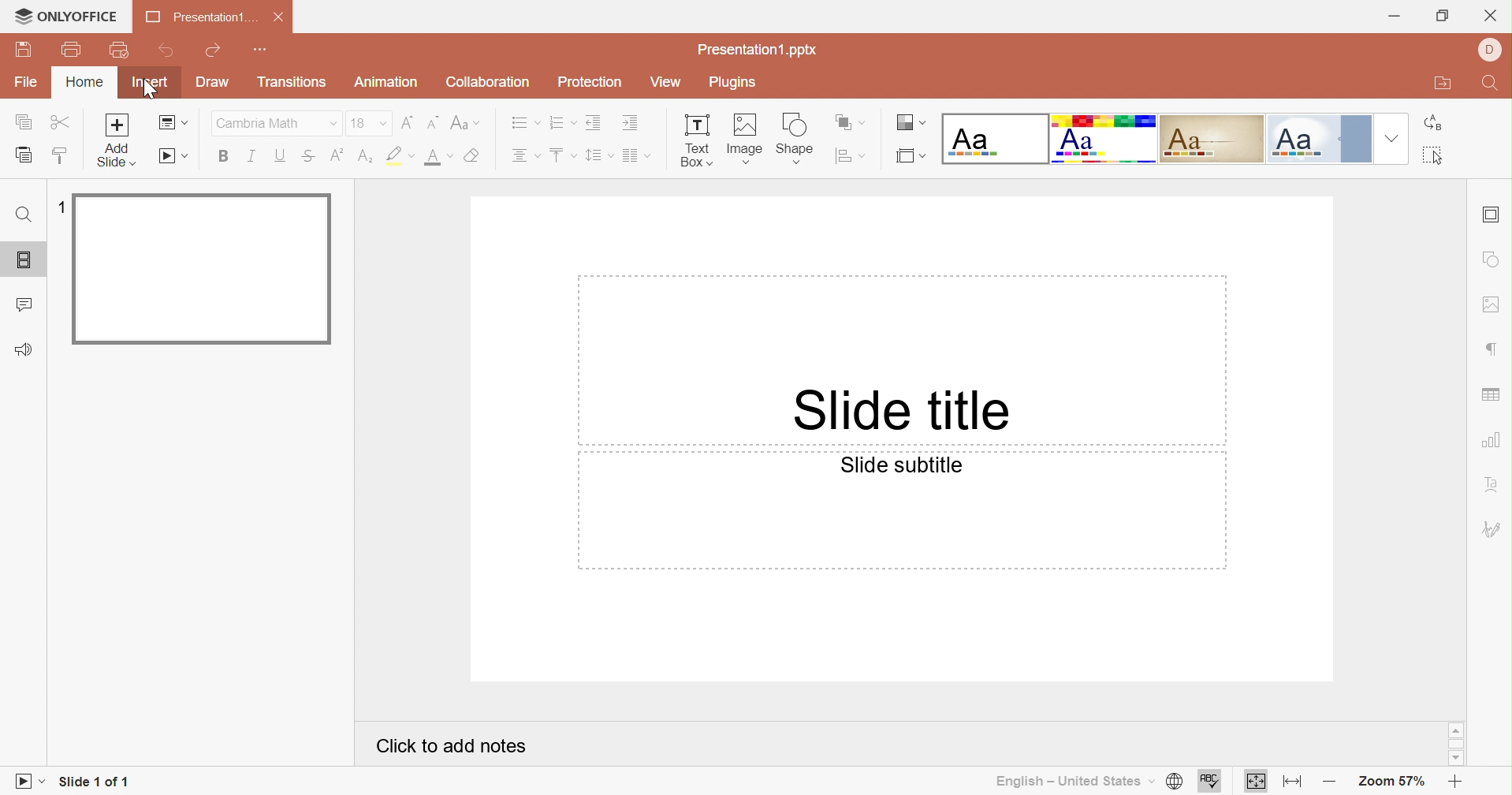 The width and height of the screenshot is (1512, 795). Describe the element at coordinates (62, 206) in the screenshot. I see `1` at that location.